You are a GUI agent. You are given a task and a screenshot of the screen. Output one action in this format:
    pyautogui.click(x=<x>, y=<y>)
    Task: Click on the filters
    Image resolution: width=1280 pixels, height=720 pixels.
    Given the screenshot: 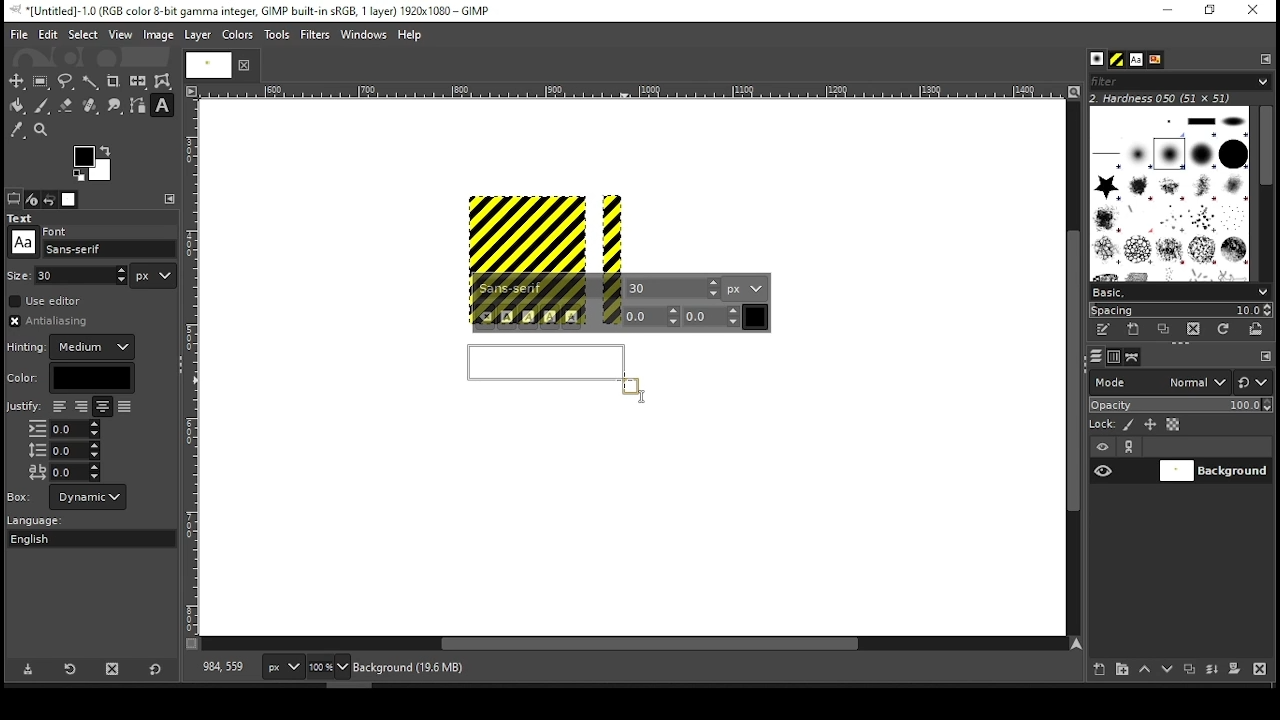 What is the action you would take?
    pyautogui.click(x=318, y=35)
    